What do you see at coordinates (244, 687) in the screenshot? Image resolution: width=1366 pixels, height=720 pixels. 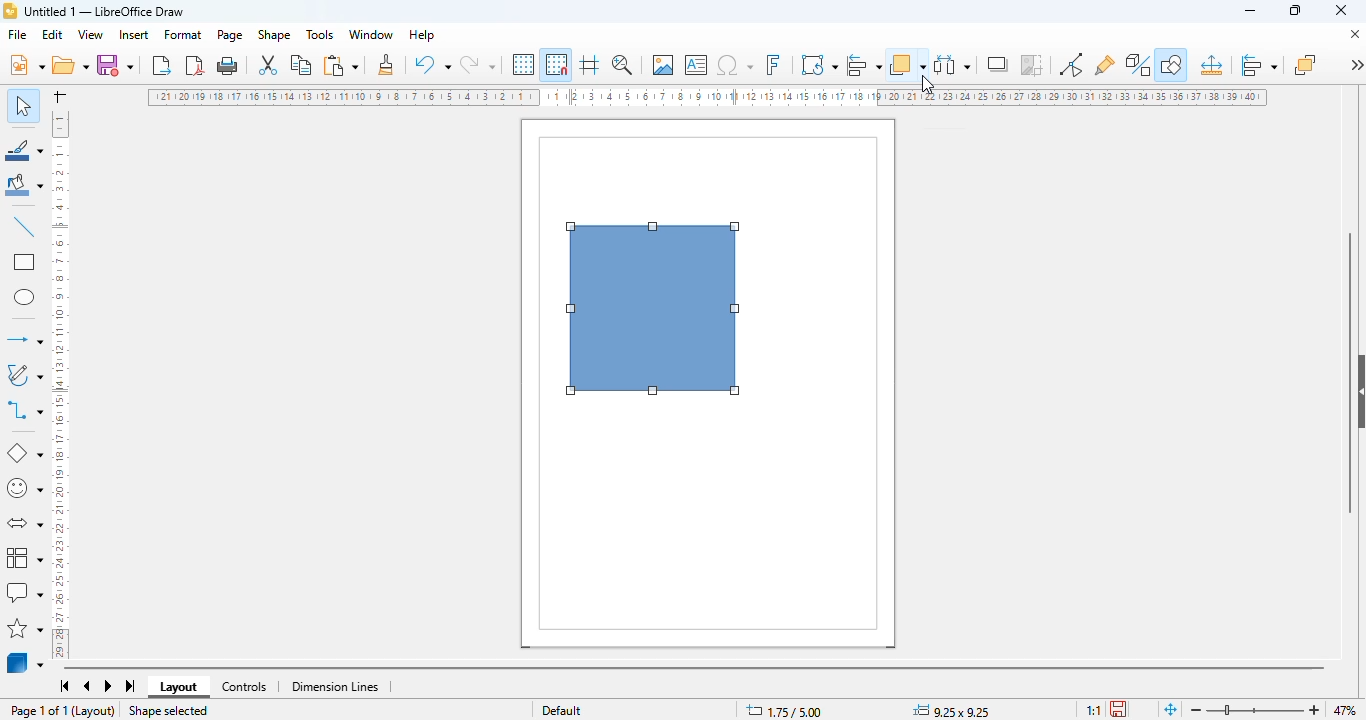 I see `controls` at bounding box center [244, 687].